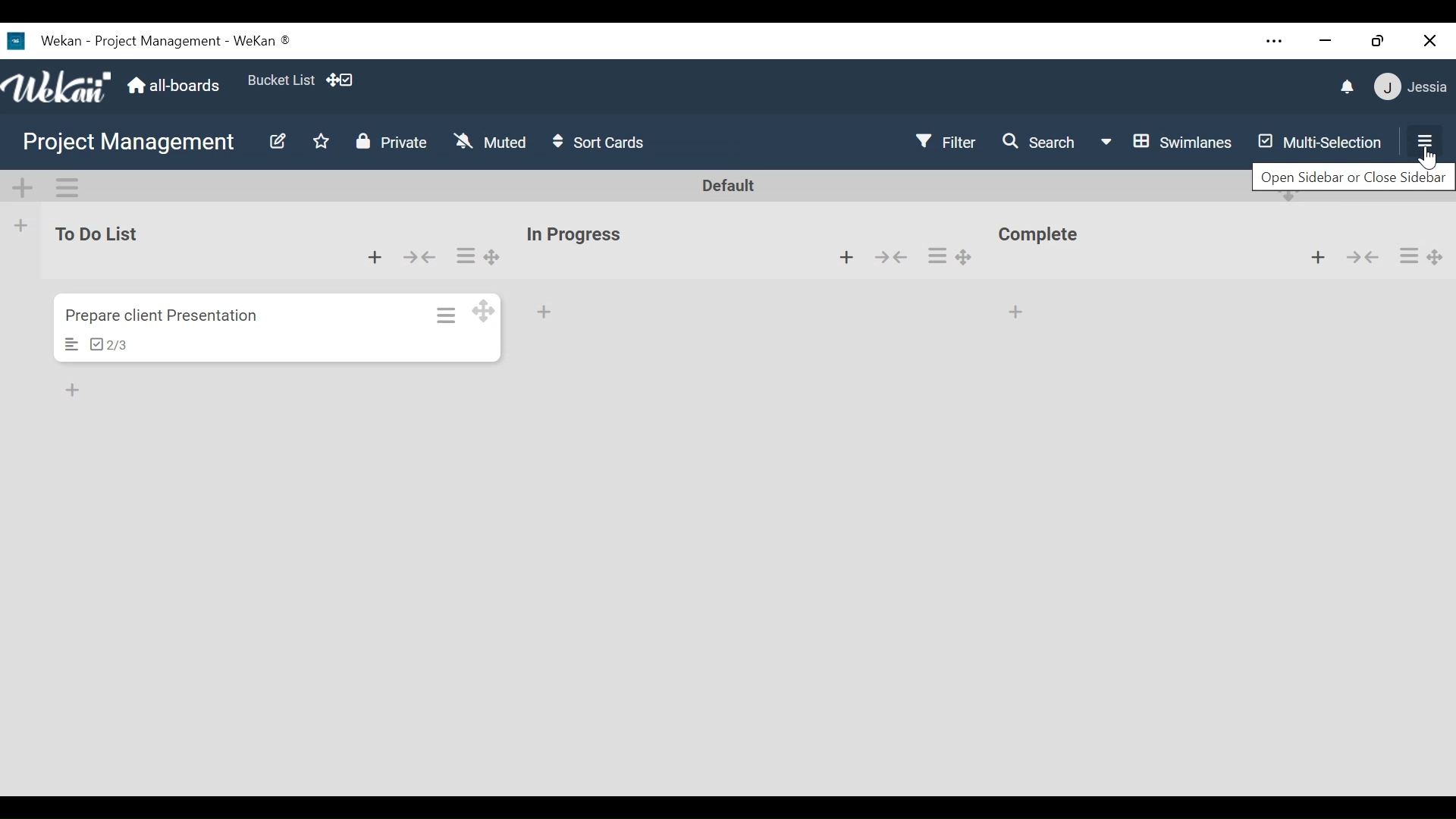 This screenshot has width=1456, height=819. I want to click on List Title, so click(1043, 237).